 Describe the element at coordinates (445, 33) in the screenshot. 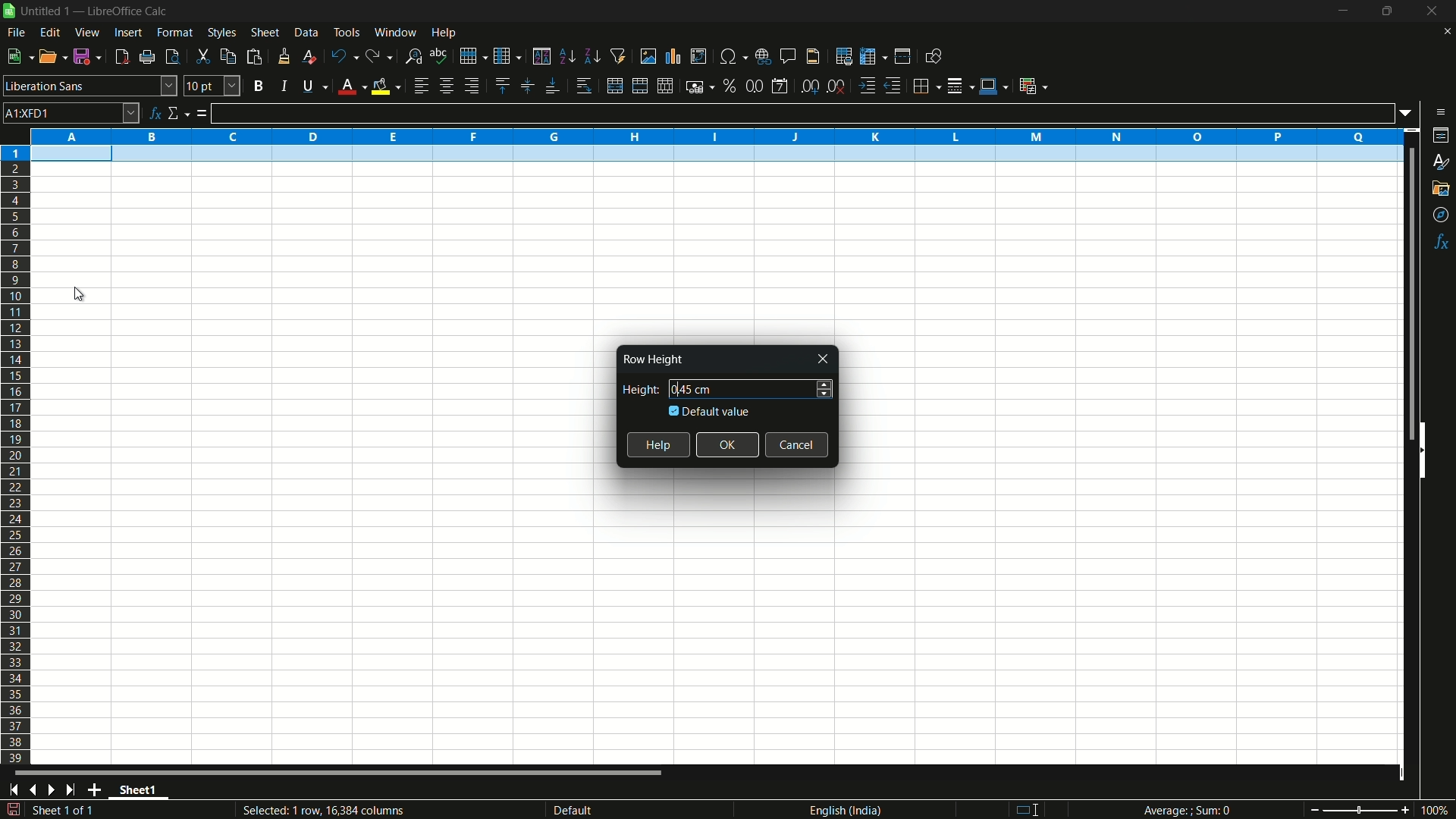

I see `help menu` at that location.